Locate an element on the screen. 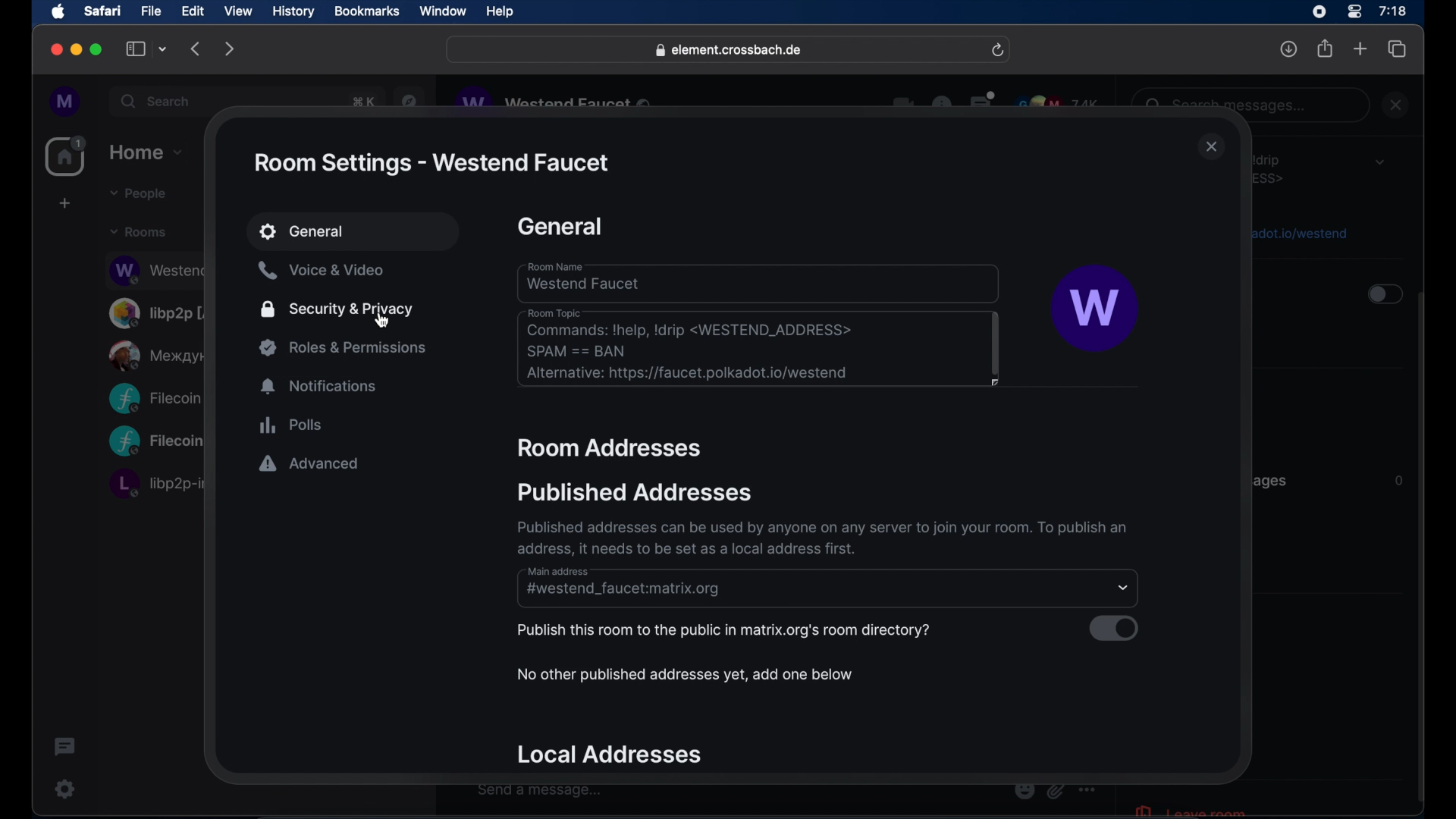 This screenshot has height=819, width=1456. obscure is located at coordinates (154, 398).